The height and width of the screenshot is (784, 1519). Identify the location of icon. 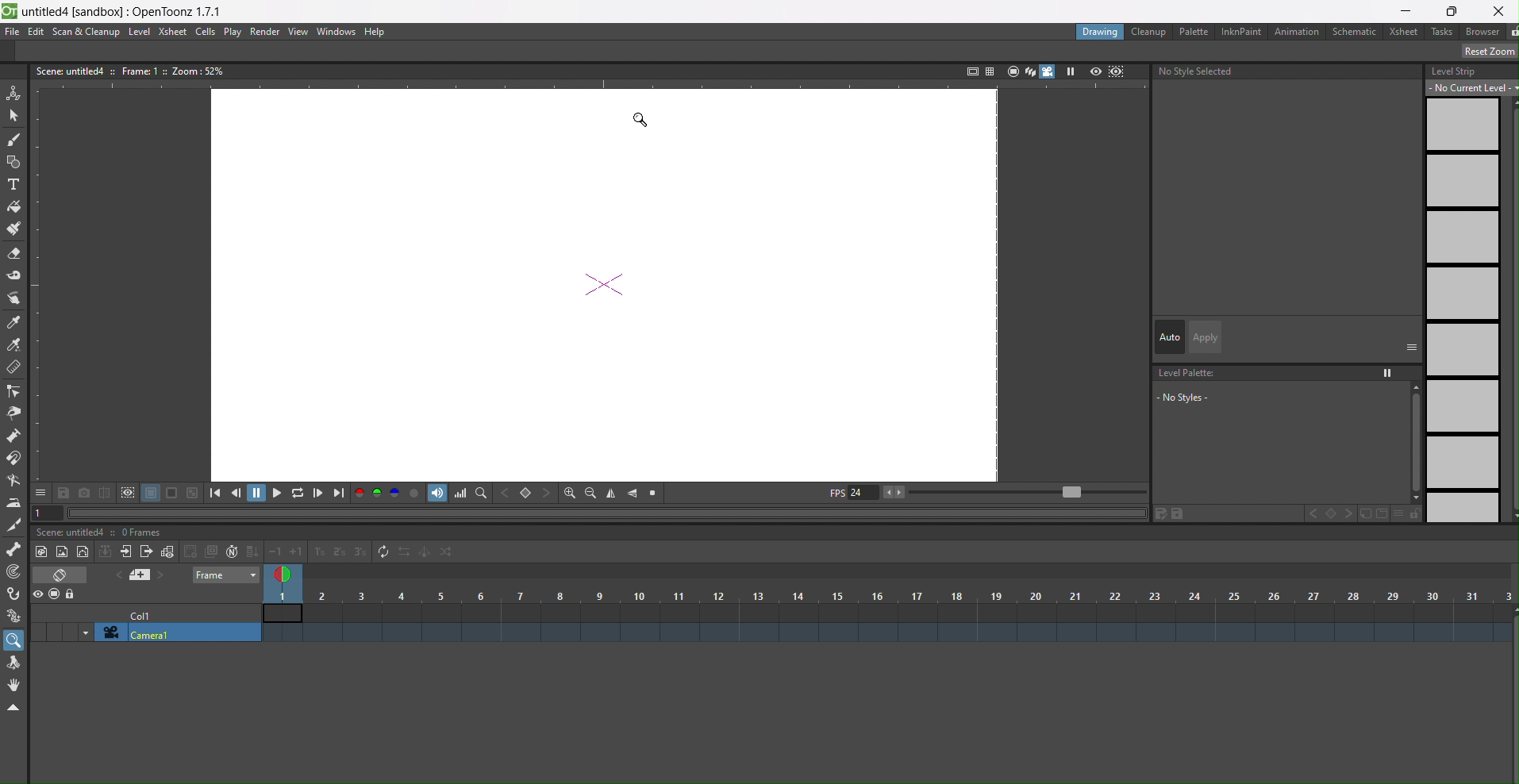
(129, 494).